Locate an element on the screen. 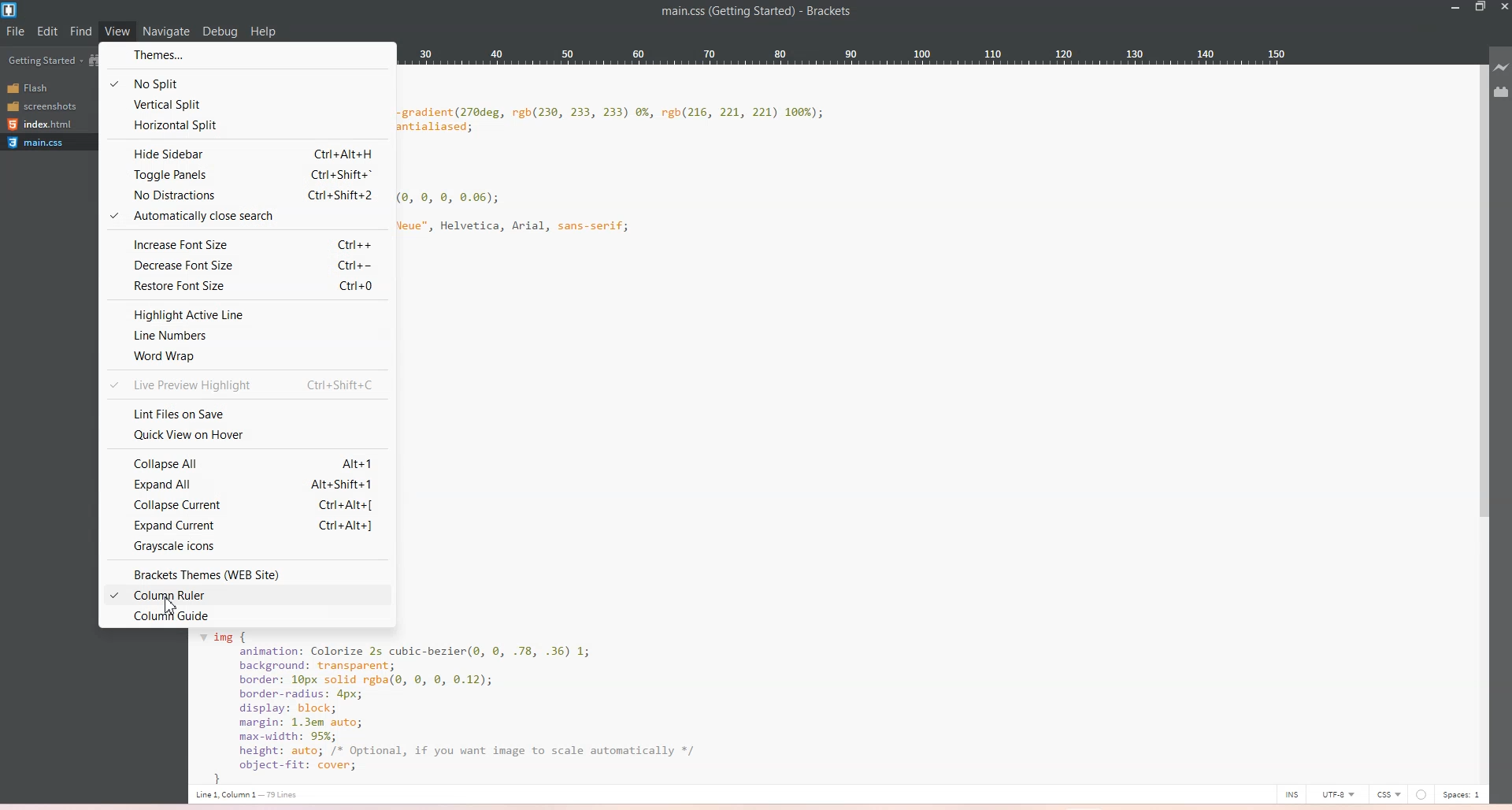  Column Guide is located at coordinates (248, 619).